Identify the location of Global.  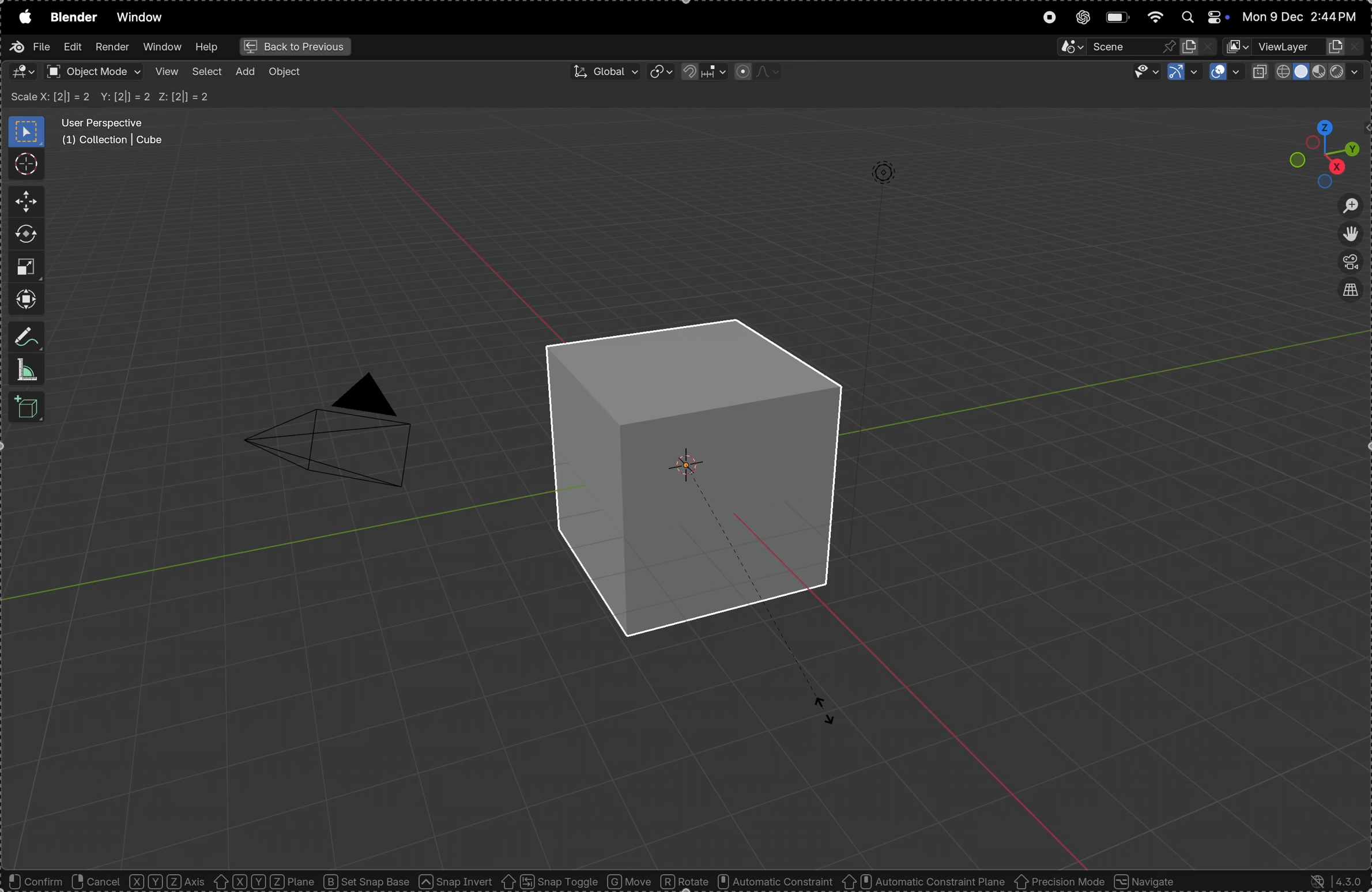
(601, 70).